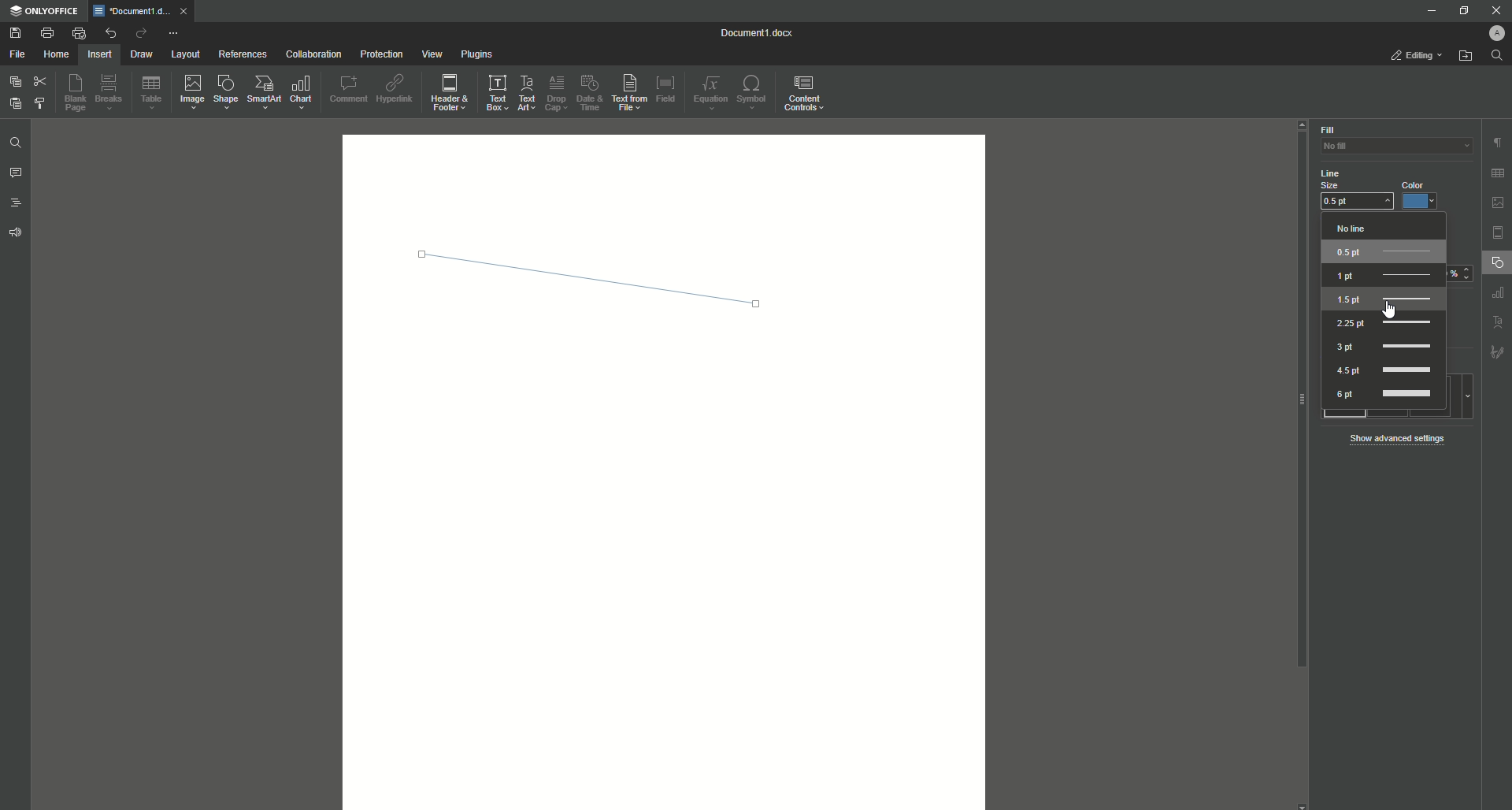  I want to click on 2.25 pt, so click(1384, 322).